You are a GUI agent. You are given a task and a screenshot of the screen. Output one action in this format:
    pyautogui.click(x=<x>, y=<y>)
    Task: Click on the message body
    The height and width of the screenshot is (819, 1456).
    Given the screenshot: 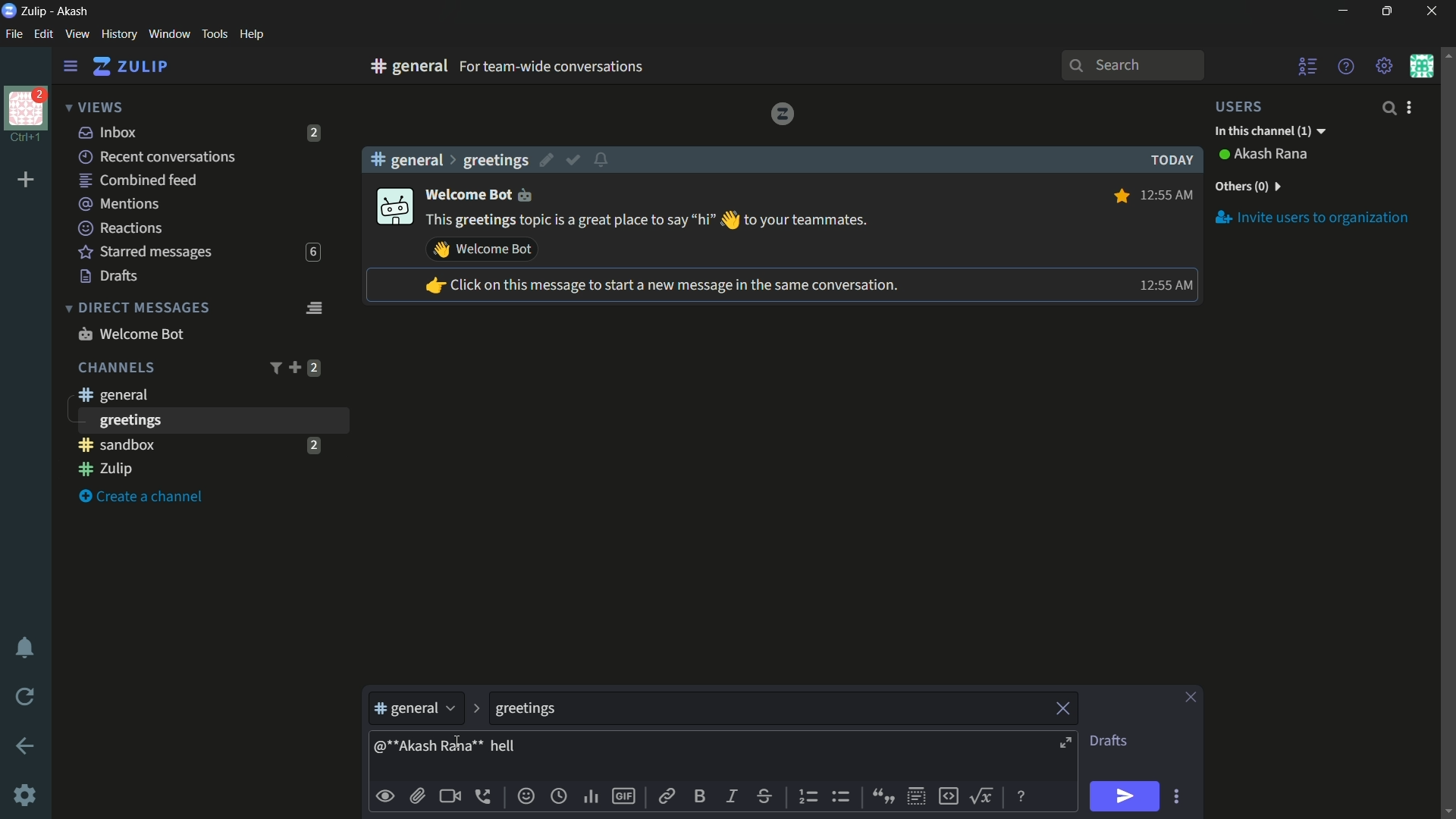 What is the action you would take?
    pyautogui.click(x=789, y=758)
    